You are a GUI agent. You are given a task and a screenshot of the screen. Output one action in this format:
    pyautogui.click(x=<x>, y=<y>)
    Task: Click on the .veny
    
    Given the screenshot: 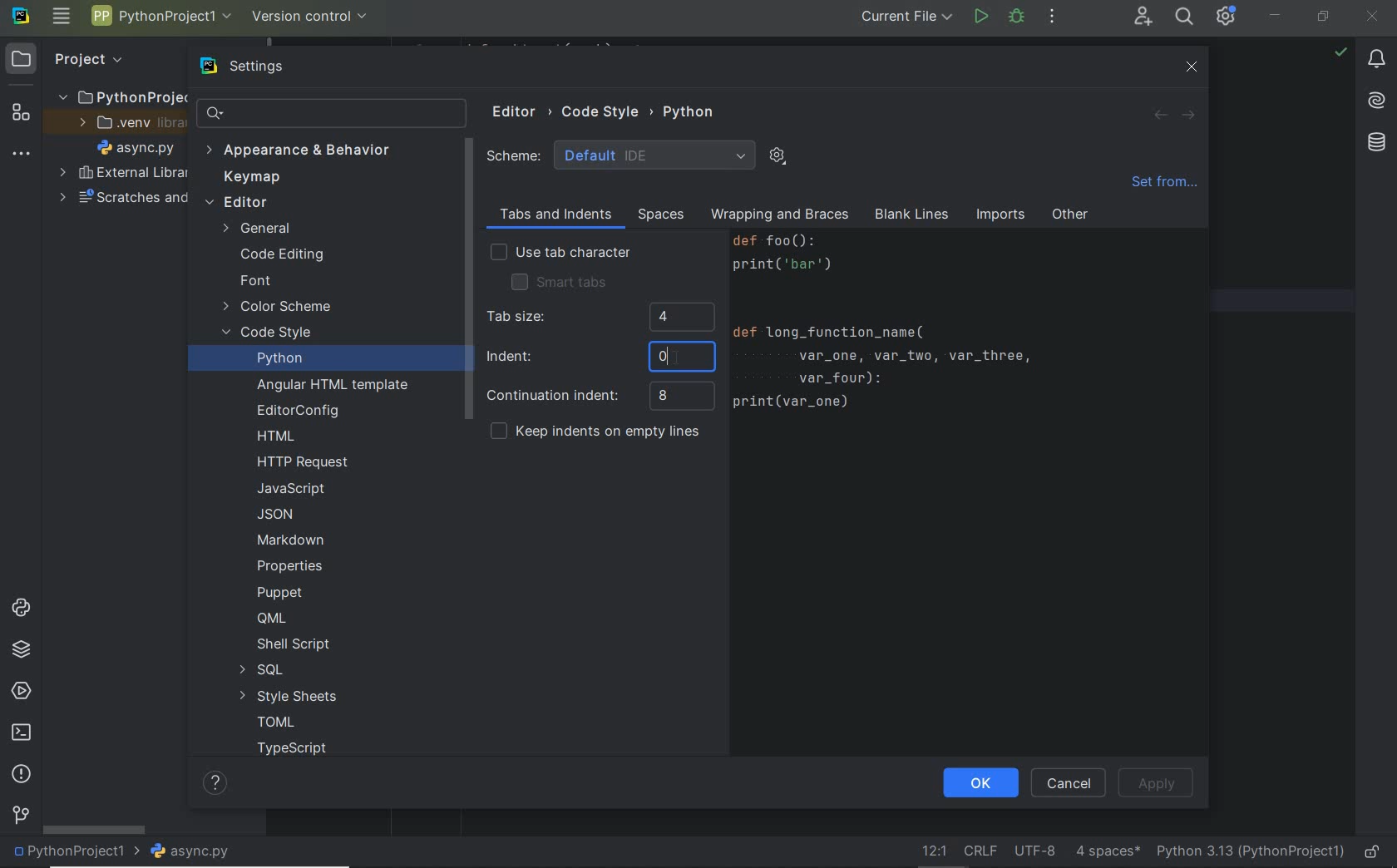 What is the action you would take?
    pyautogui.click(x=126, y=123)
    